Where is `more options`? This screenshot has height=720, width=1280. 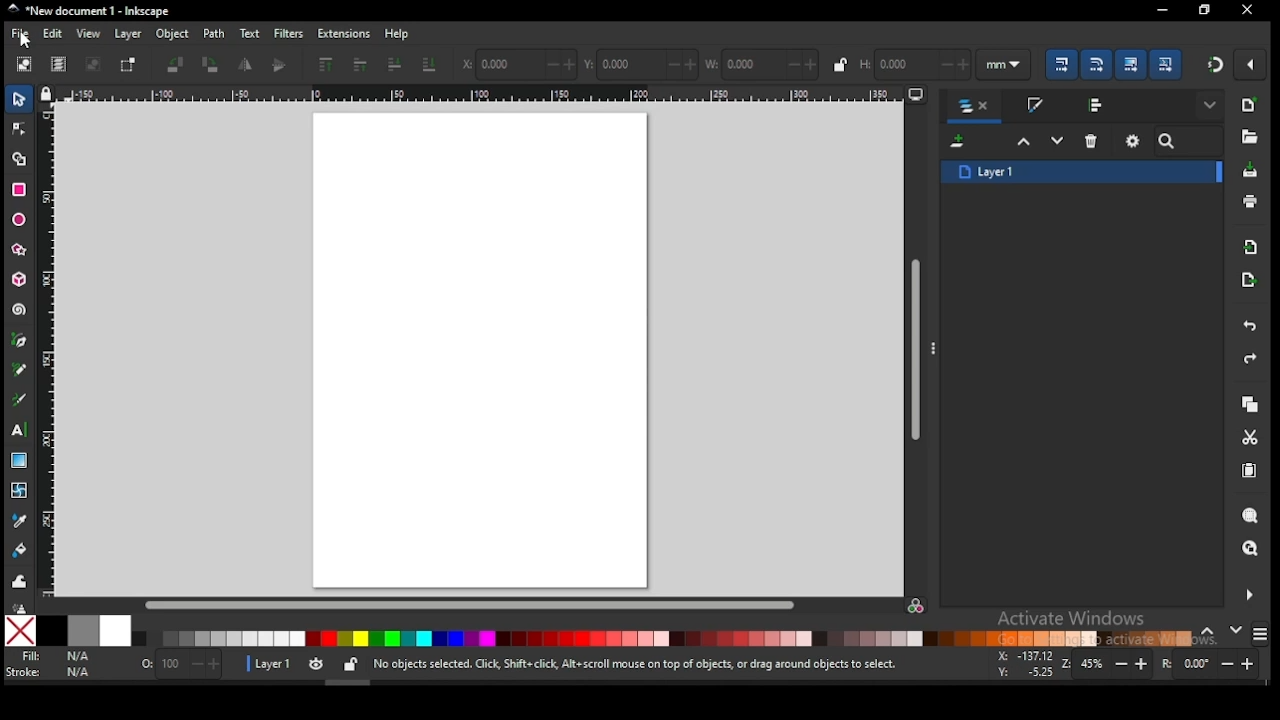
more options is located at coordinates (936, 347).